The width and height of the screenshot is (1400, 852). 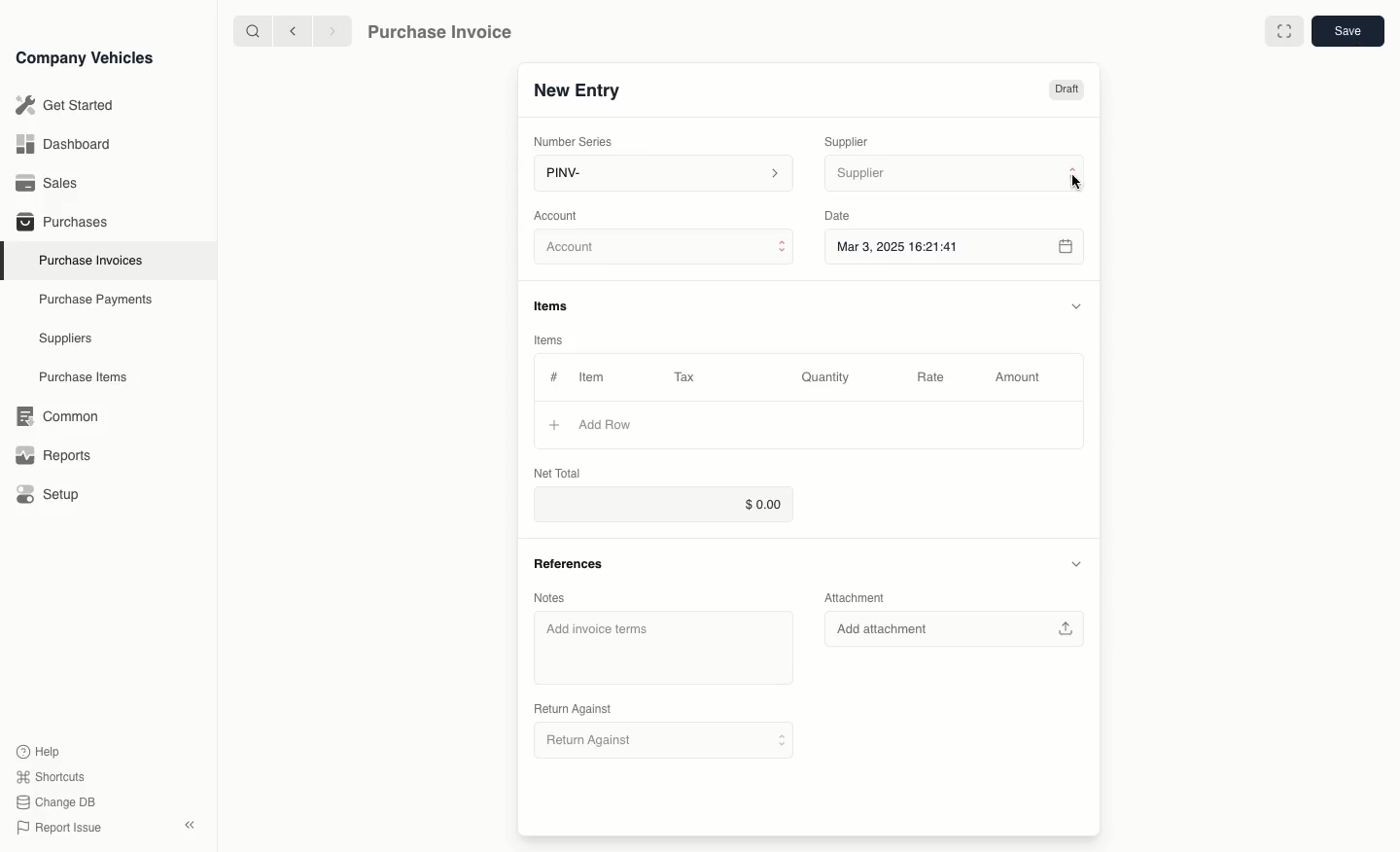 What do you see at coordinates (1065, 88) in the screenshot?
I see `Draft` at bounding box center [1065, 88].